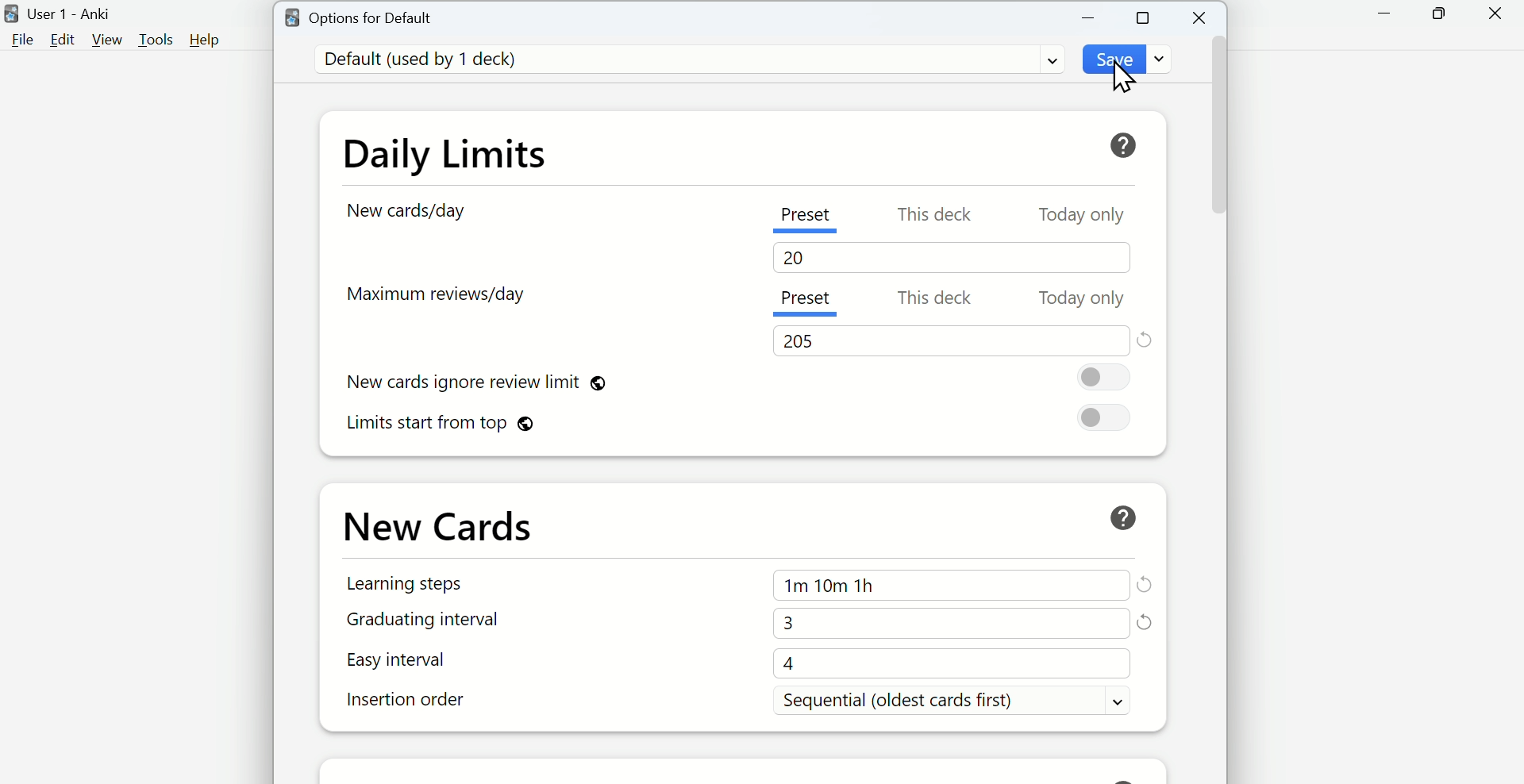 This screenshot has height=784, width=1524. Describe the element at coordinates (1381, 18) in the screenshot. I see `Minimize` at that location.